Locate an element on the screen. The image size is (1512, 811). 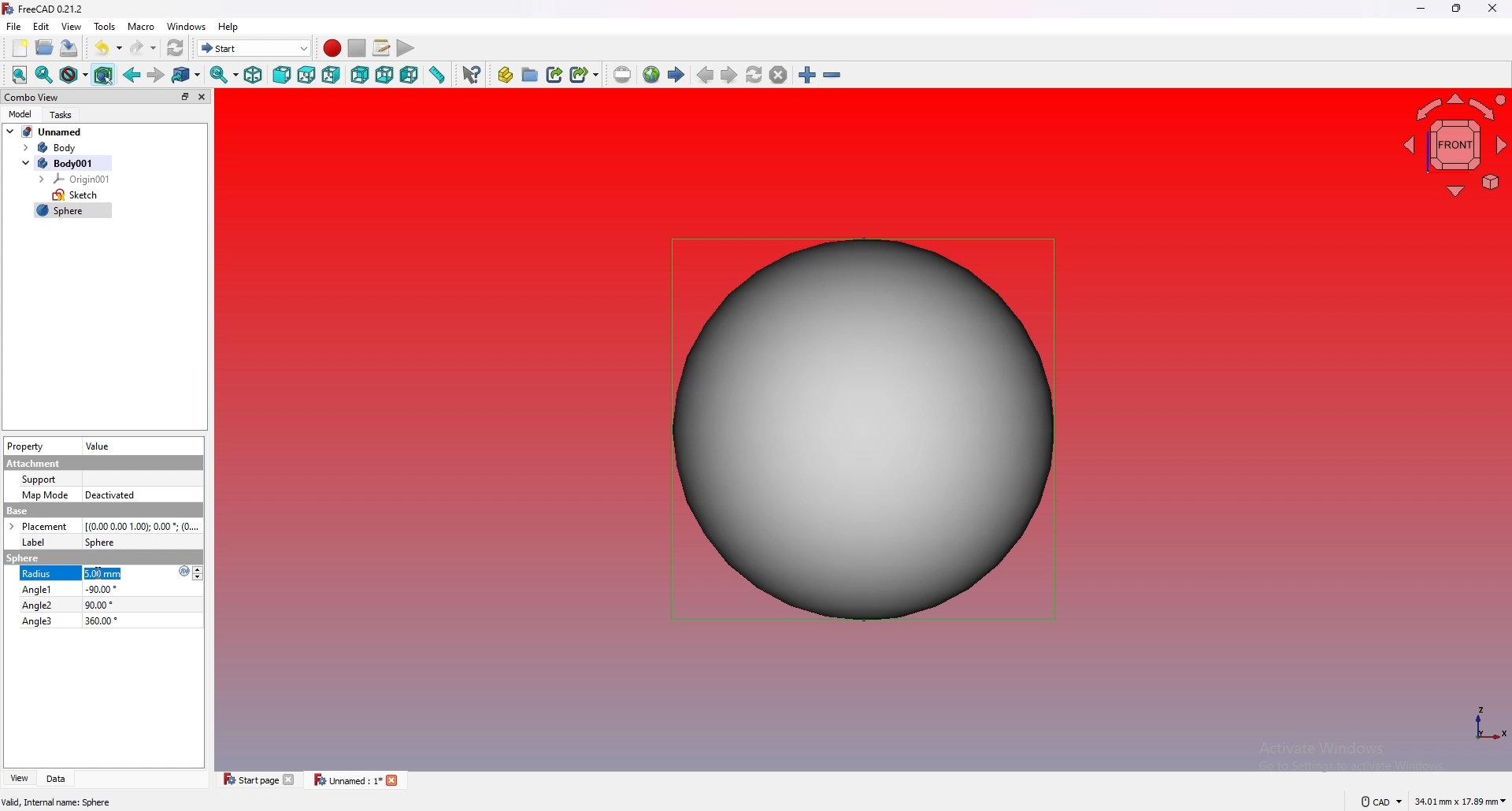
angle 3 360 degree is located at coordinates (69, 620).